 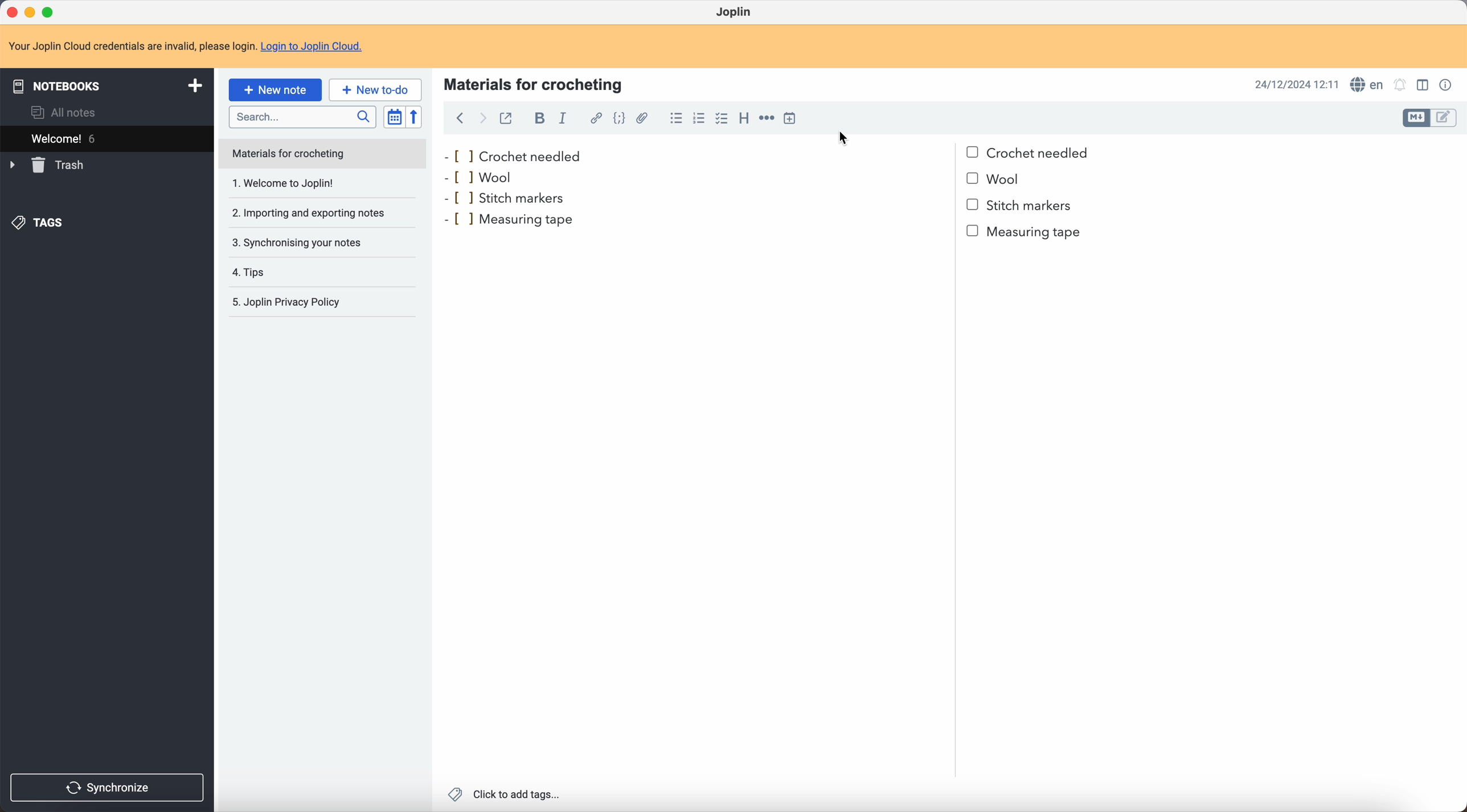 What do you see at coordinates (14, 12) in the screenshot?
I see `close` at bounding box center [14, 12].